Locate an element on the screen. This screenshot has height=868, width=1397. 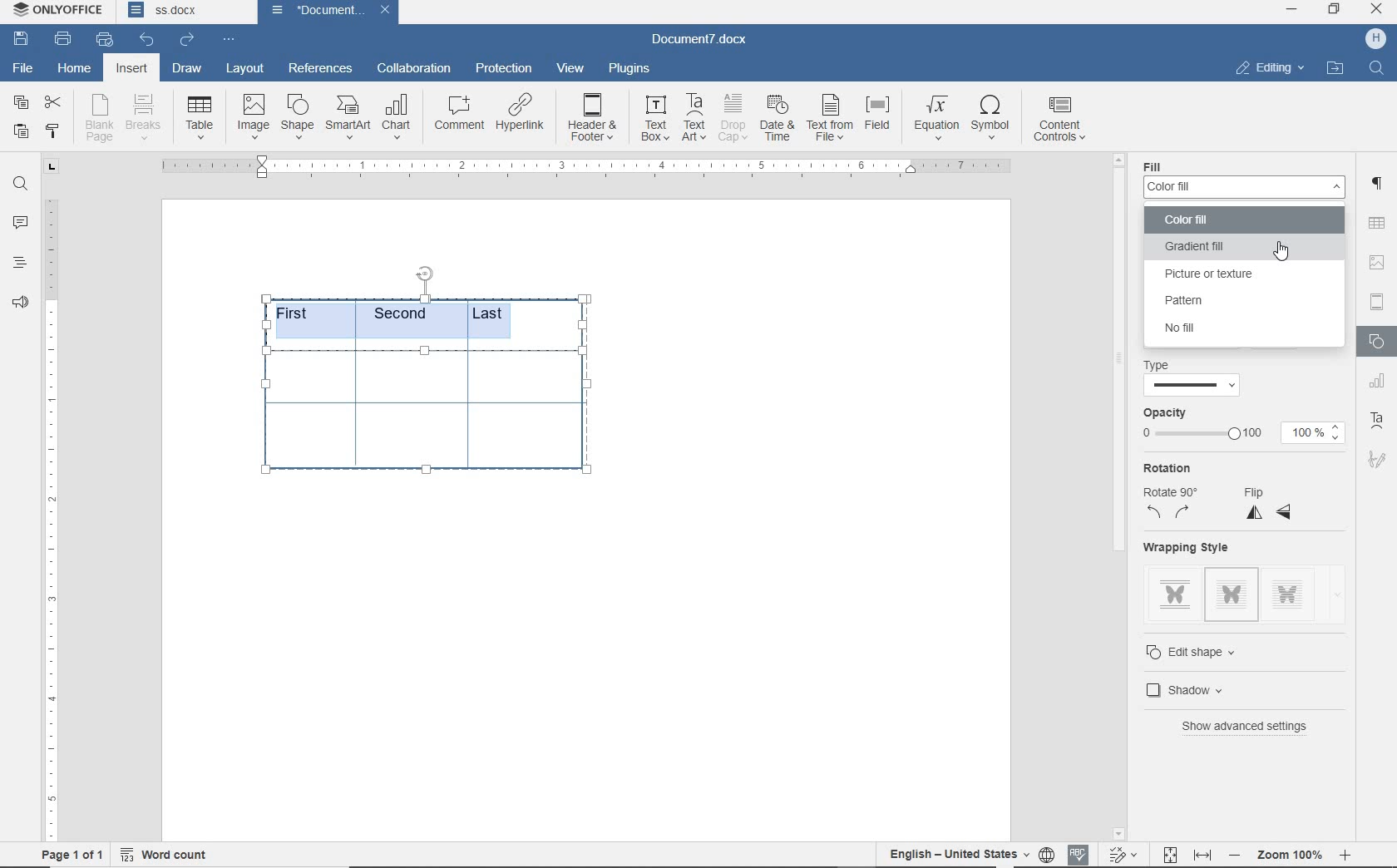
EDITING is located at coordinates (1268, 67).